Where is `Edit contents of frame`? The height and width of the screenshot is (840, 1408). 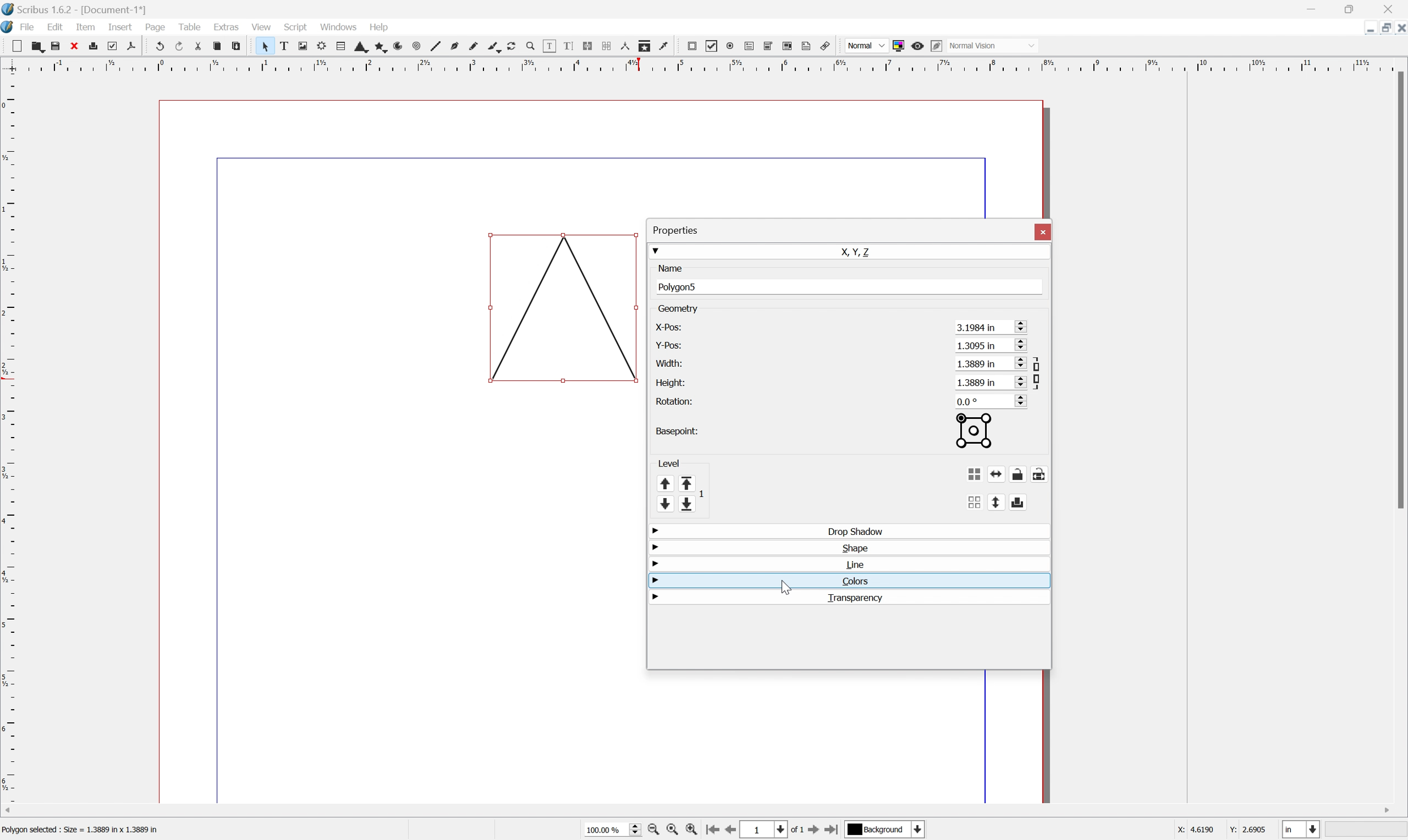
Edit contents of frame is located at coordinates (549, 46).